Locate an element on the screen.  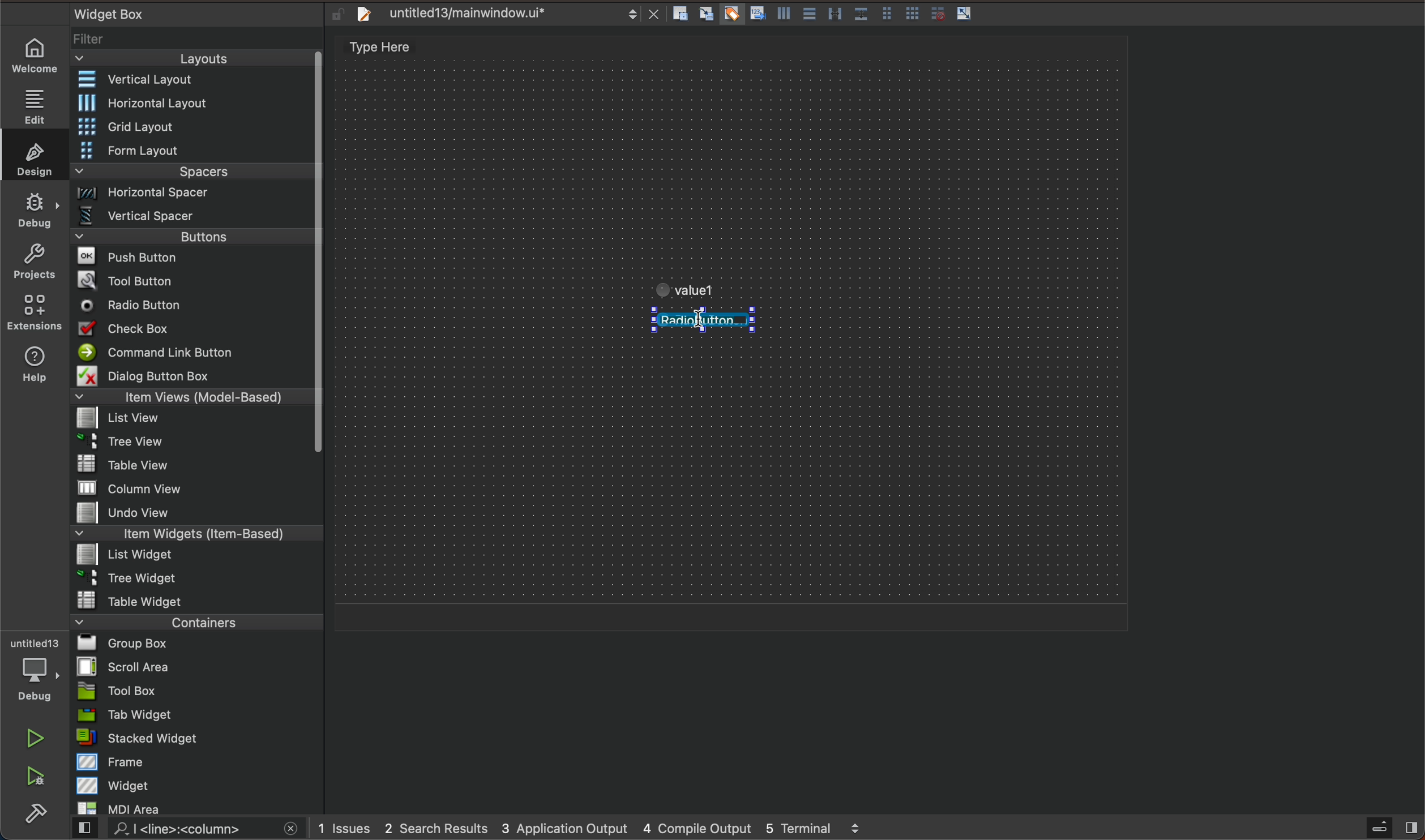
Vertical layout  is located at coordinates (194, 80).